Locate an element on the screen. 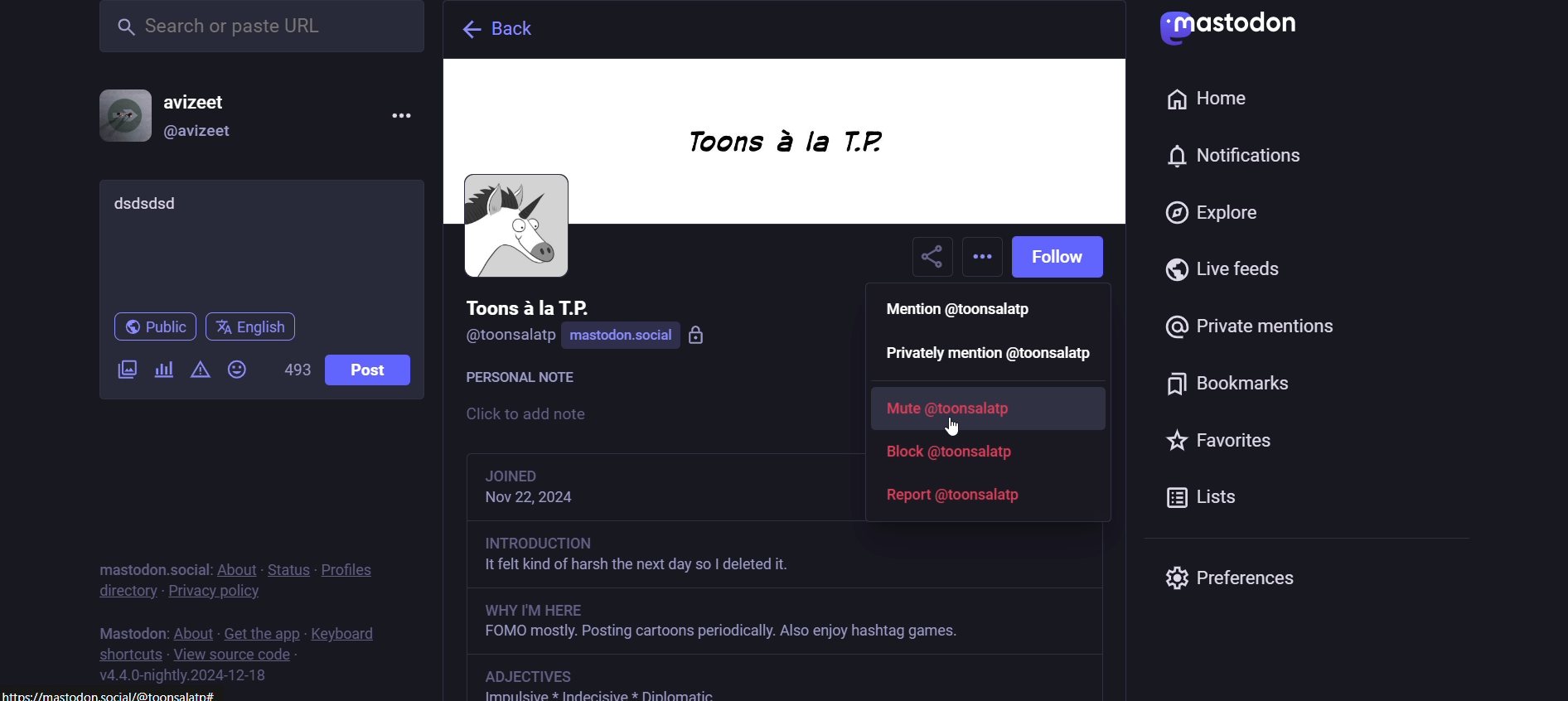 This screenshot has width=1568, height=701. username is located at coordinates (208, 99).